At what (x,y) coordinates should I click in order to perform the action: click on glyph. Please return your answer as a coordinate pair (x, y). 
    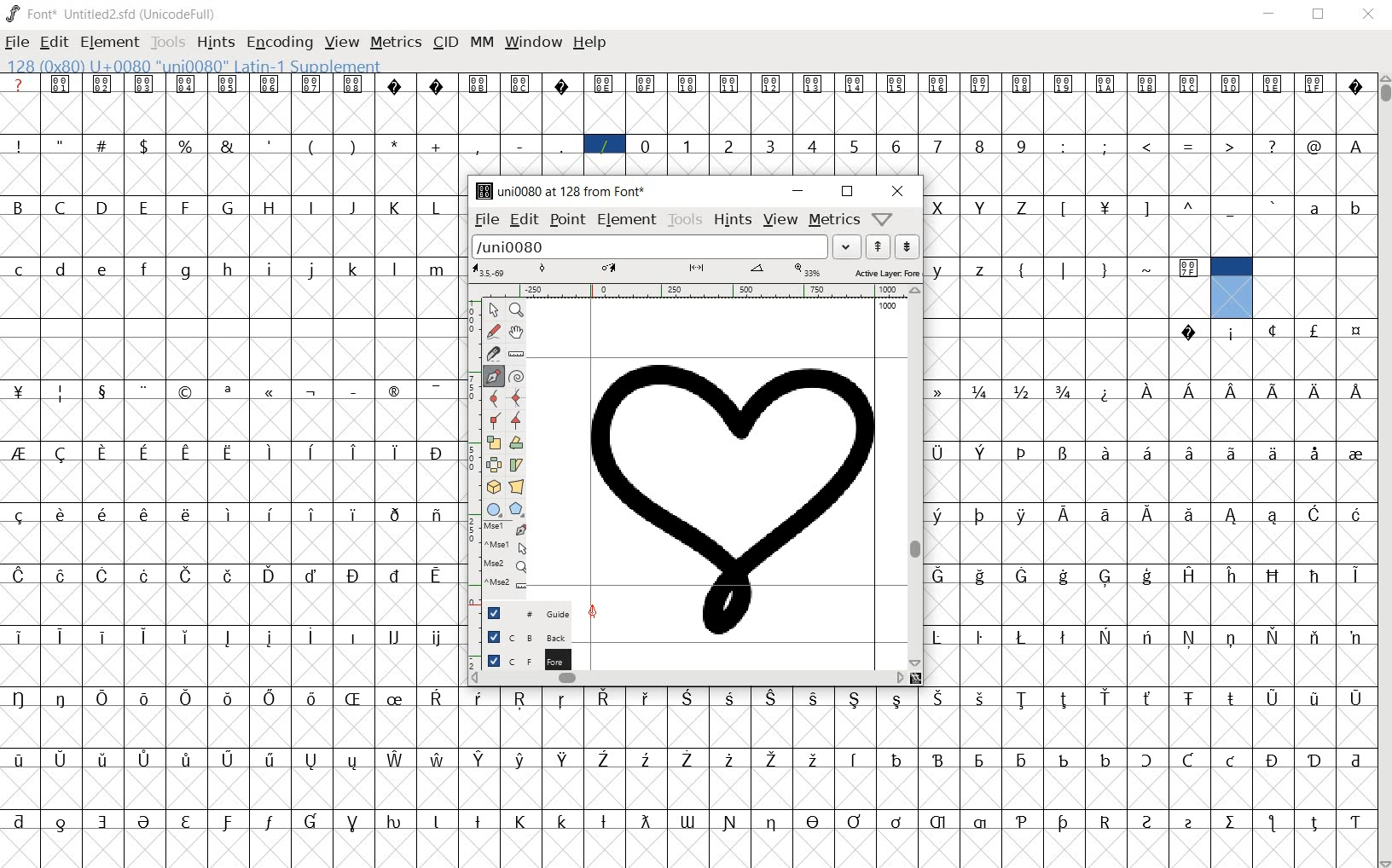
    Looking at the image, I should click on (855, 699).